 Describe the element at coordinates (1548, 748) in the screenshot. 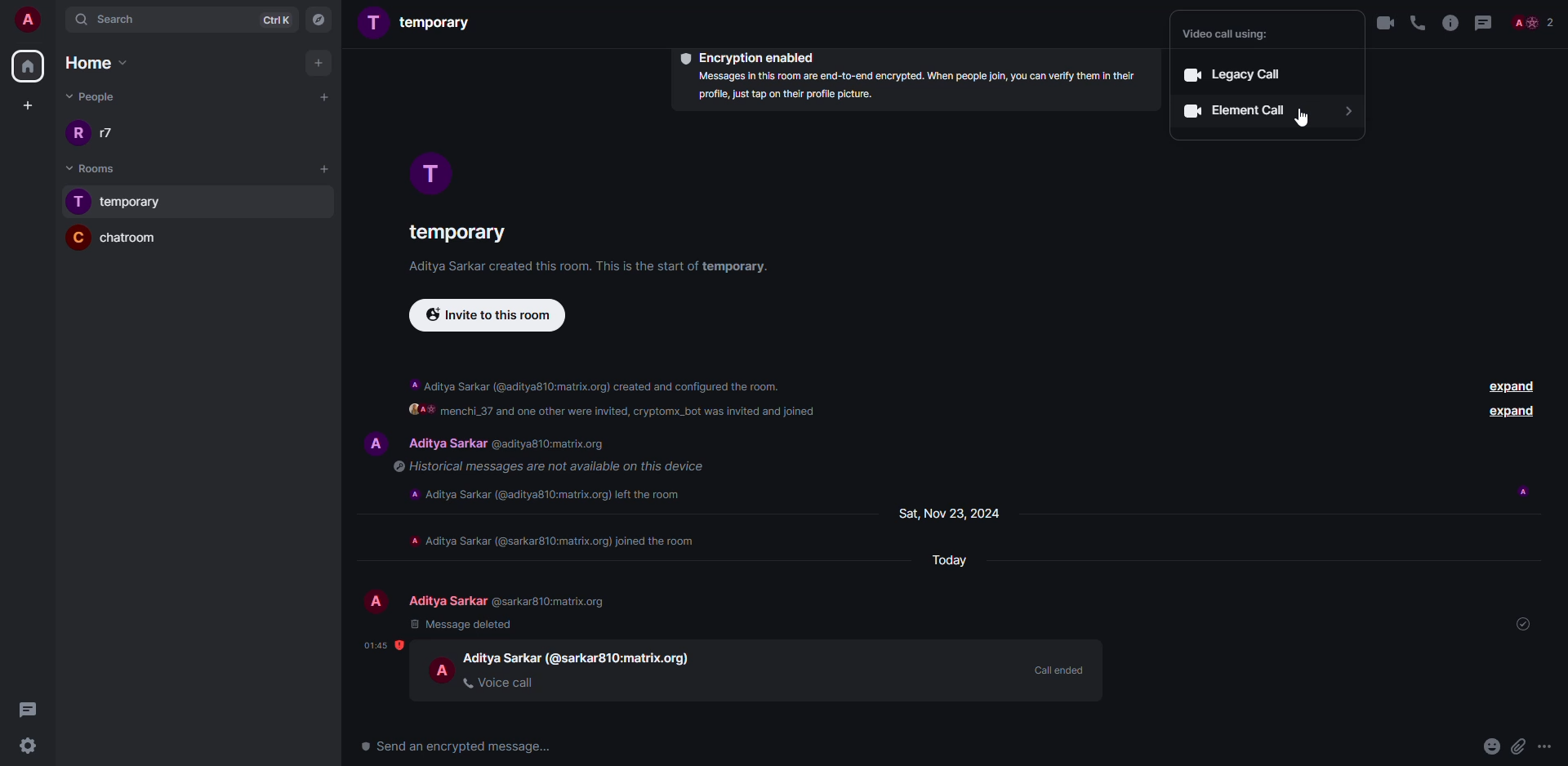

I see `more` at that location.